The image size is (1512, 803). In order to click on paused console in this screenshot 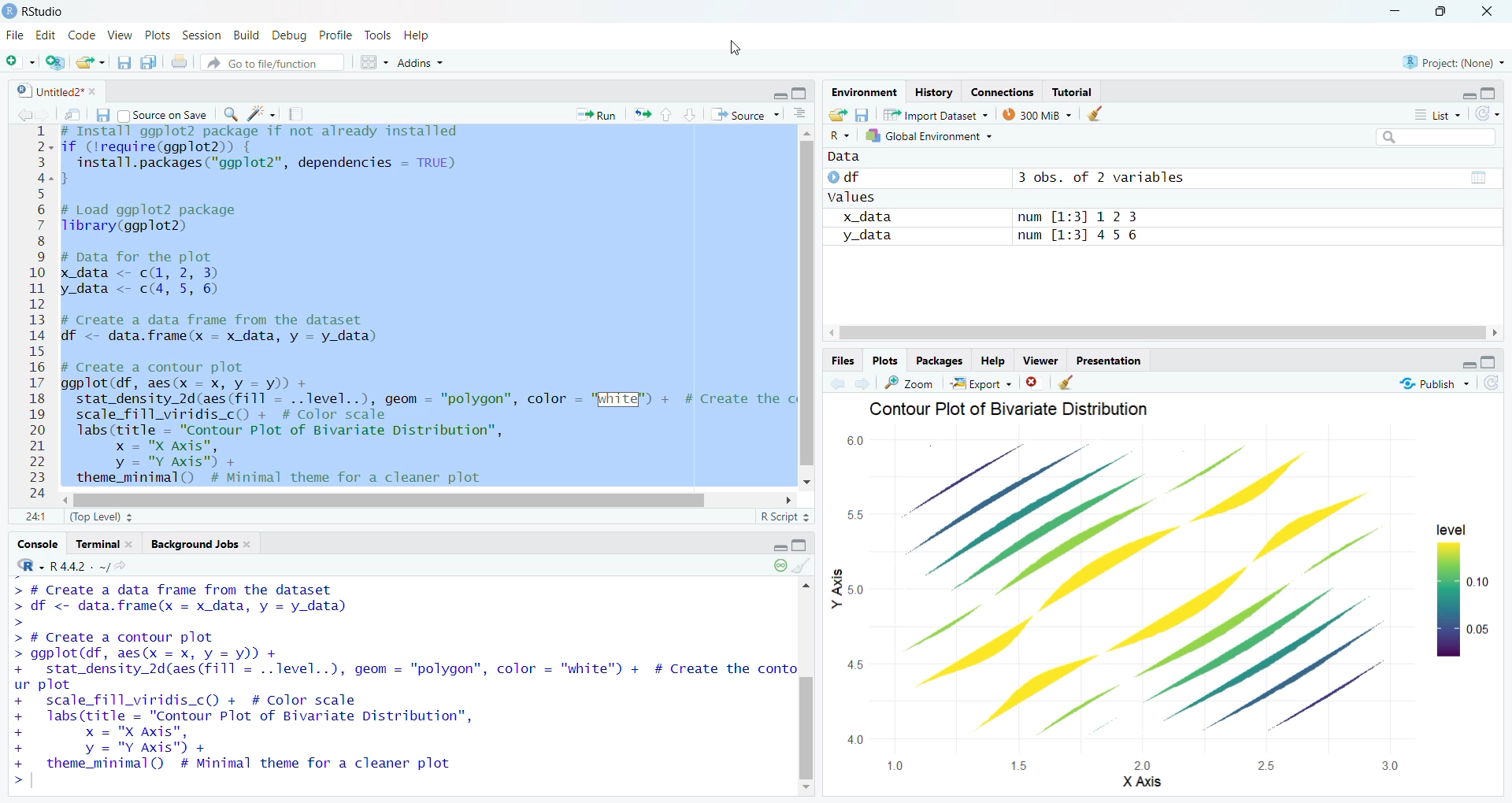, I will do `click(779, 564)`.